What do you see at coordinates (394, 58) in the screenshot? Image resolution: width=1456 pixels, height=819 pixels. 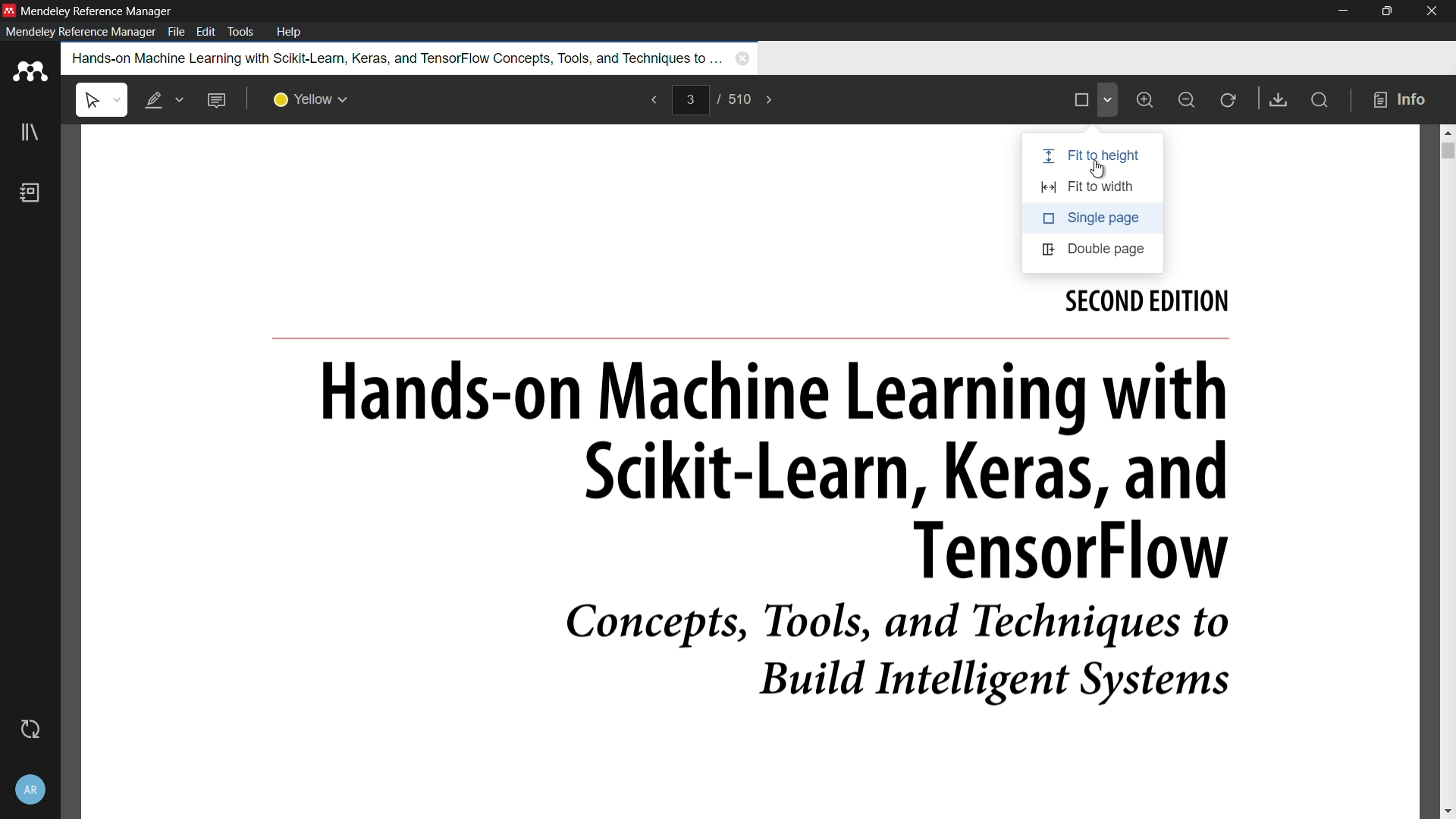 I see `book name` at bounding box center [394, 58].